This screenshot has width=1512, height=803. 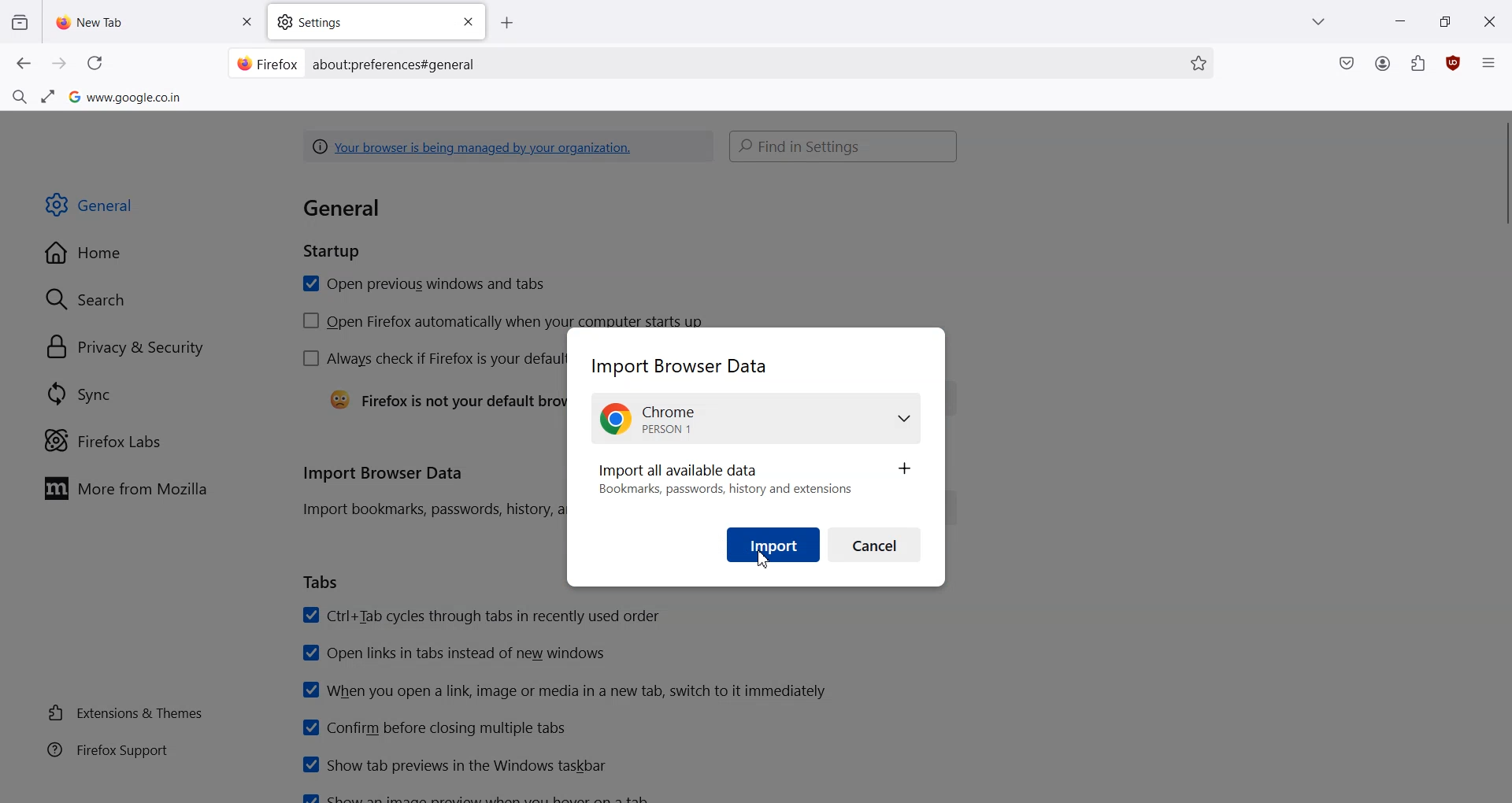 I want to click on Confirm before closing multiple tabs, so click(x=433, y=727).